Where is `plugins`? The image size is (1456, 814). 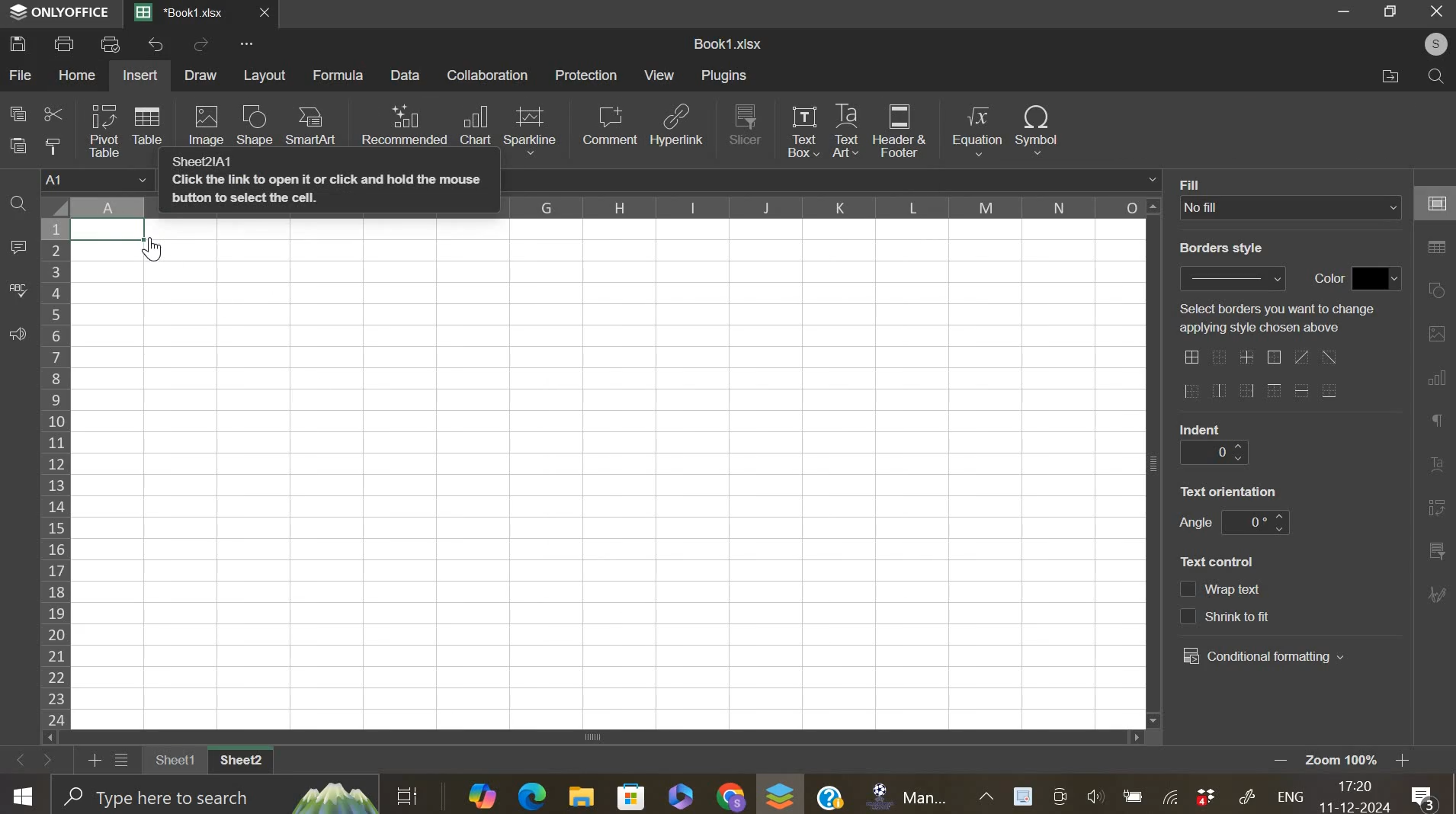 plugins is located at coordinates (723, 75).